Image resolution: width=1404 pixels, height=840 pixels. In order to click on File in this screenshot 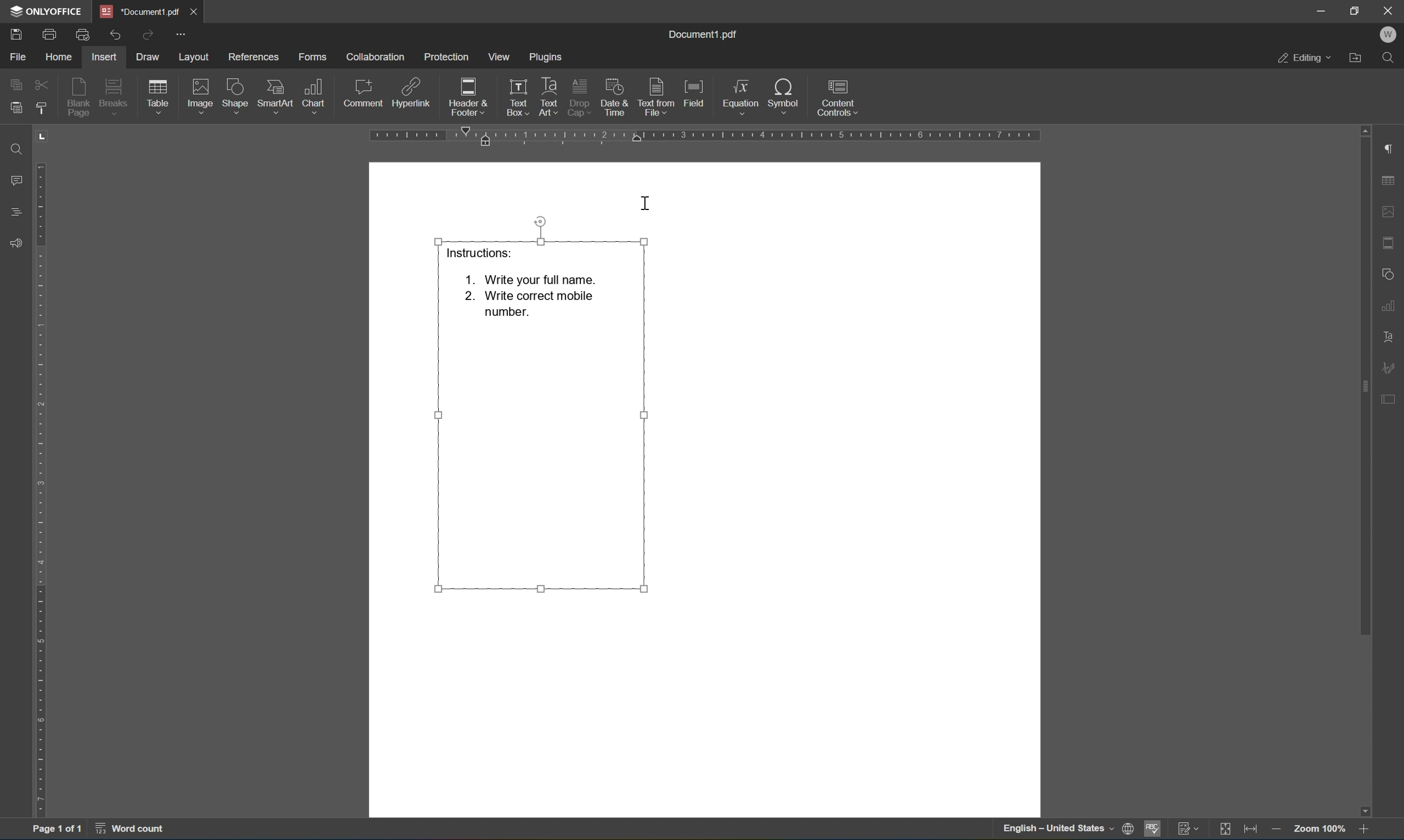, I will do `click(19, 58)`.